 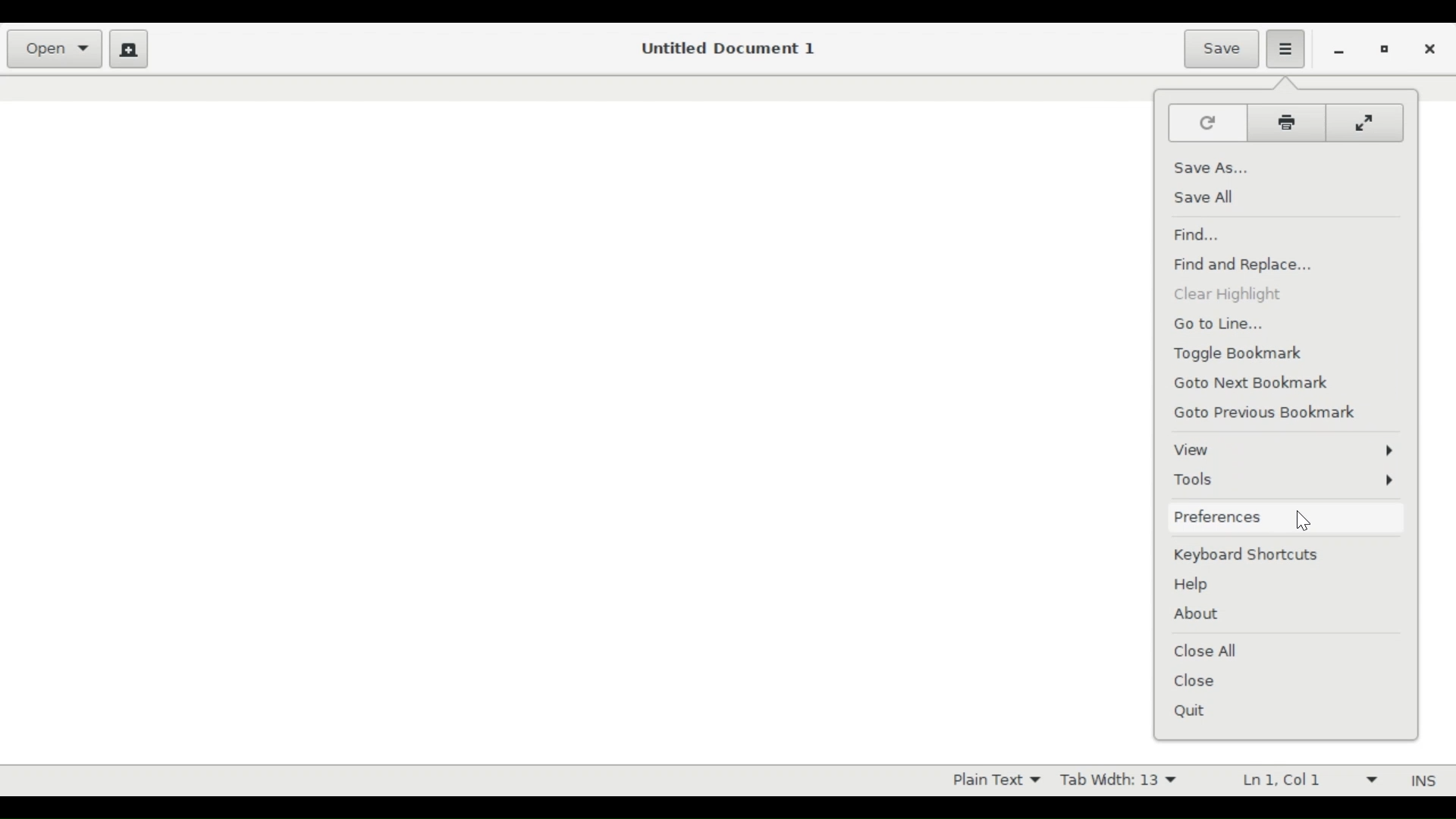 What do you see at coordinates (1259, 384) in the screenshot?
I see `Goto Next Bookmark` at bounding box center [1259, 384].